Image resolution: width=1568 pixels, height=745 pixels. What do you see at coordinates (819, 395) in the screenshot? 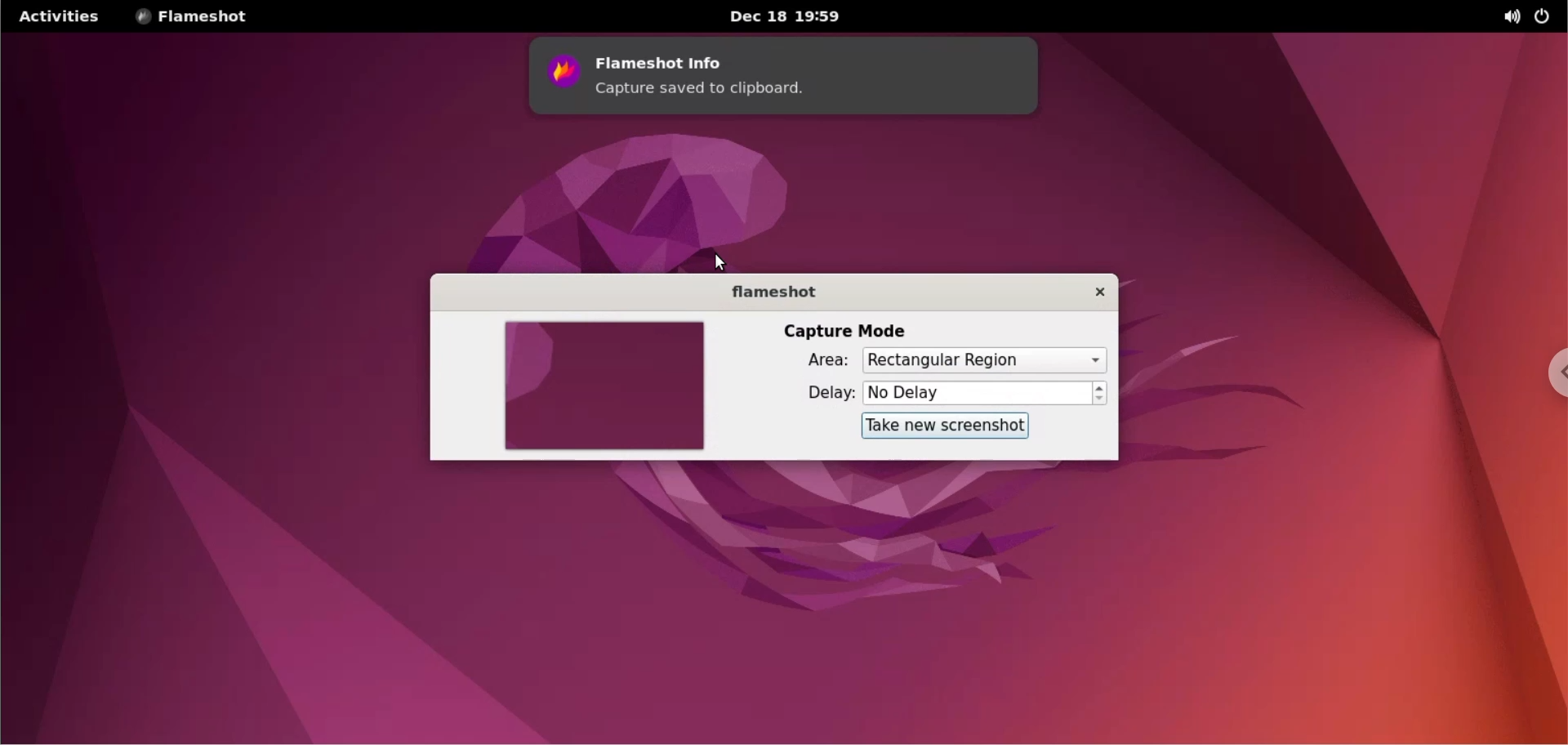
I see `delay label` at bounding box center [819, 395].